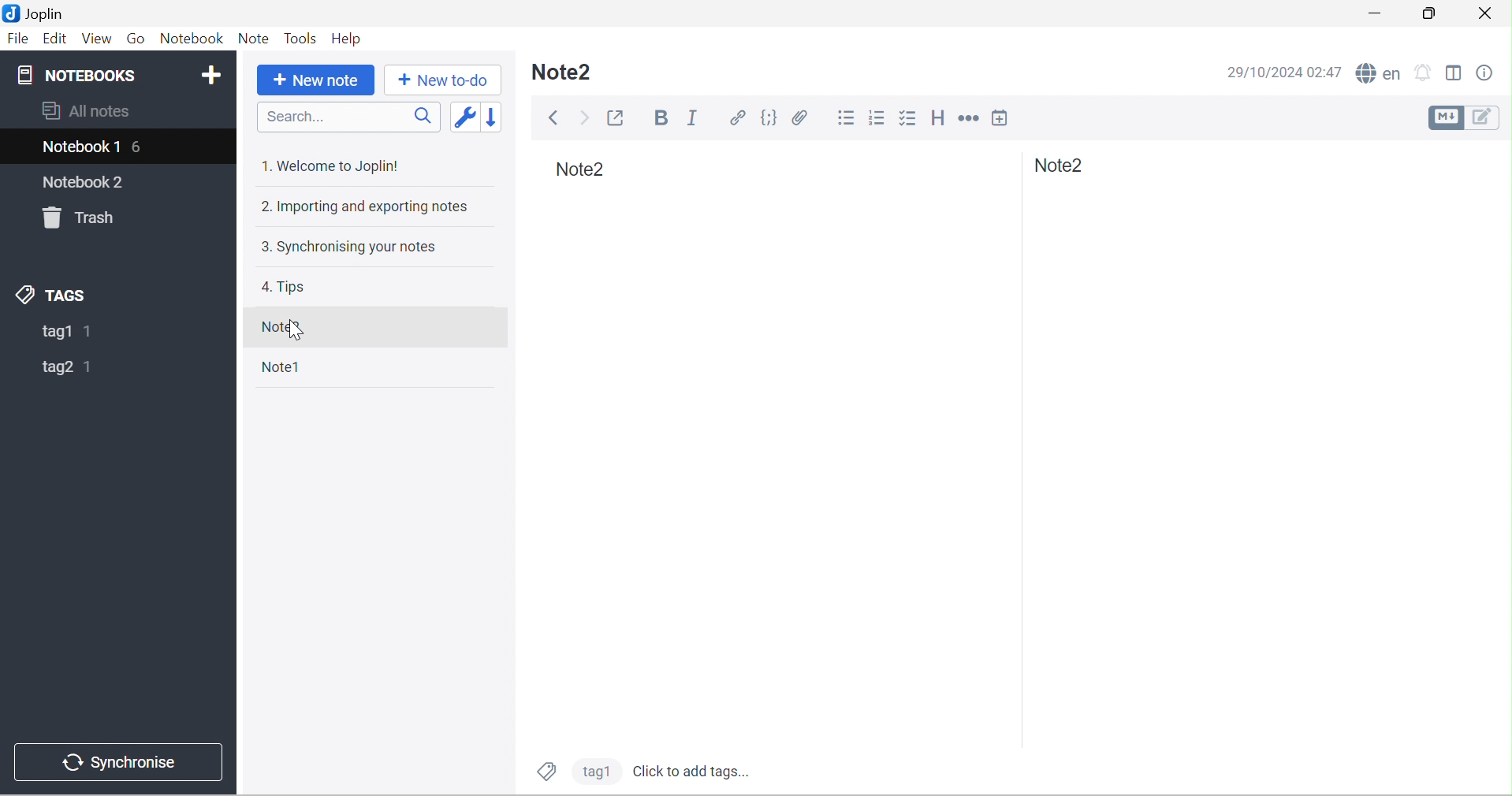 The width and height of the screenshot is (1512, 796). I want to click on Joplin, so click(33, 13).